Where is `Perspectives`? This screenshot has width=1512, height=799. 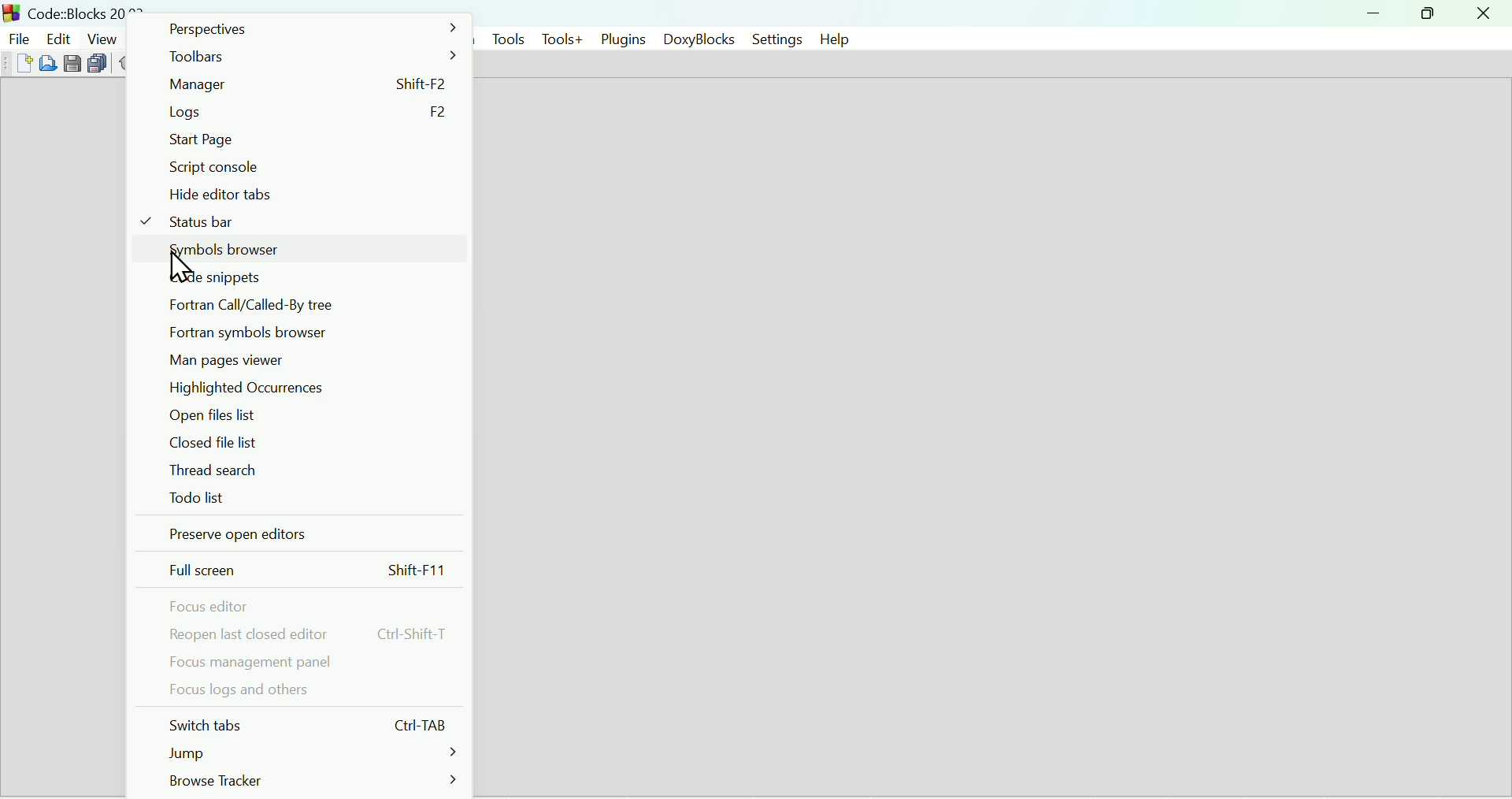 Perspectives is located at coordinates (309, 28).